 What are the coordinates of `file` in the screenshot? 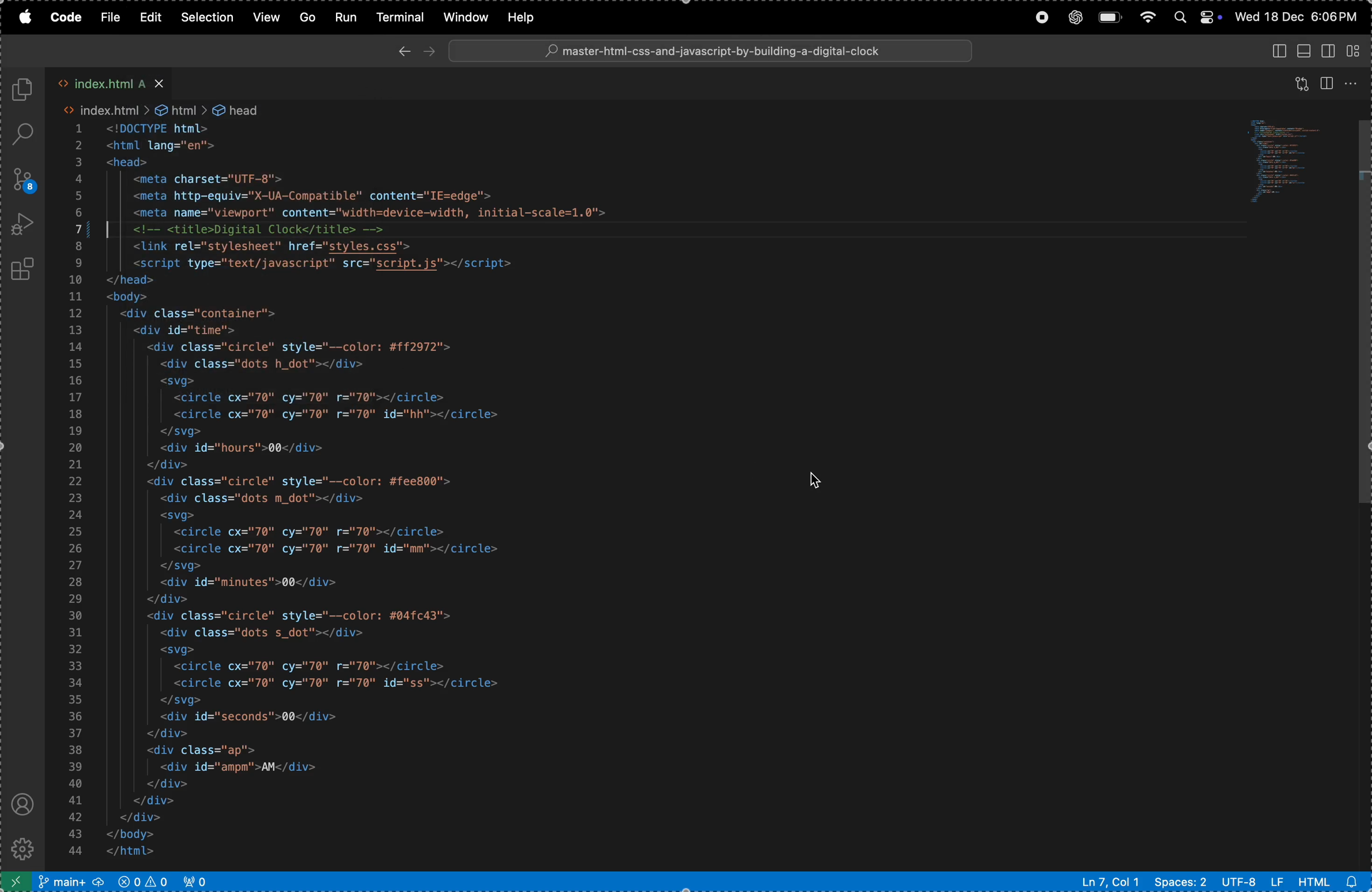 It's located at (111, 18).